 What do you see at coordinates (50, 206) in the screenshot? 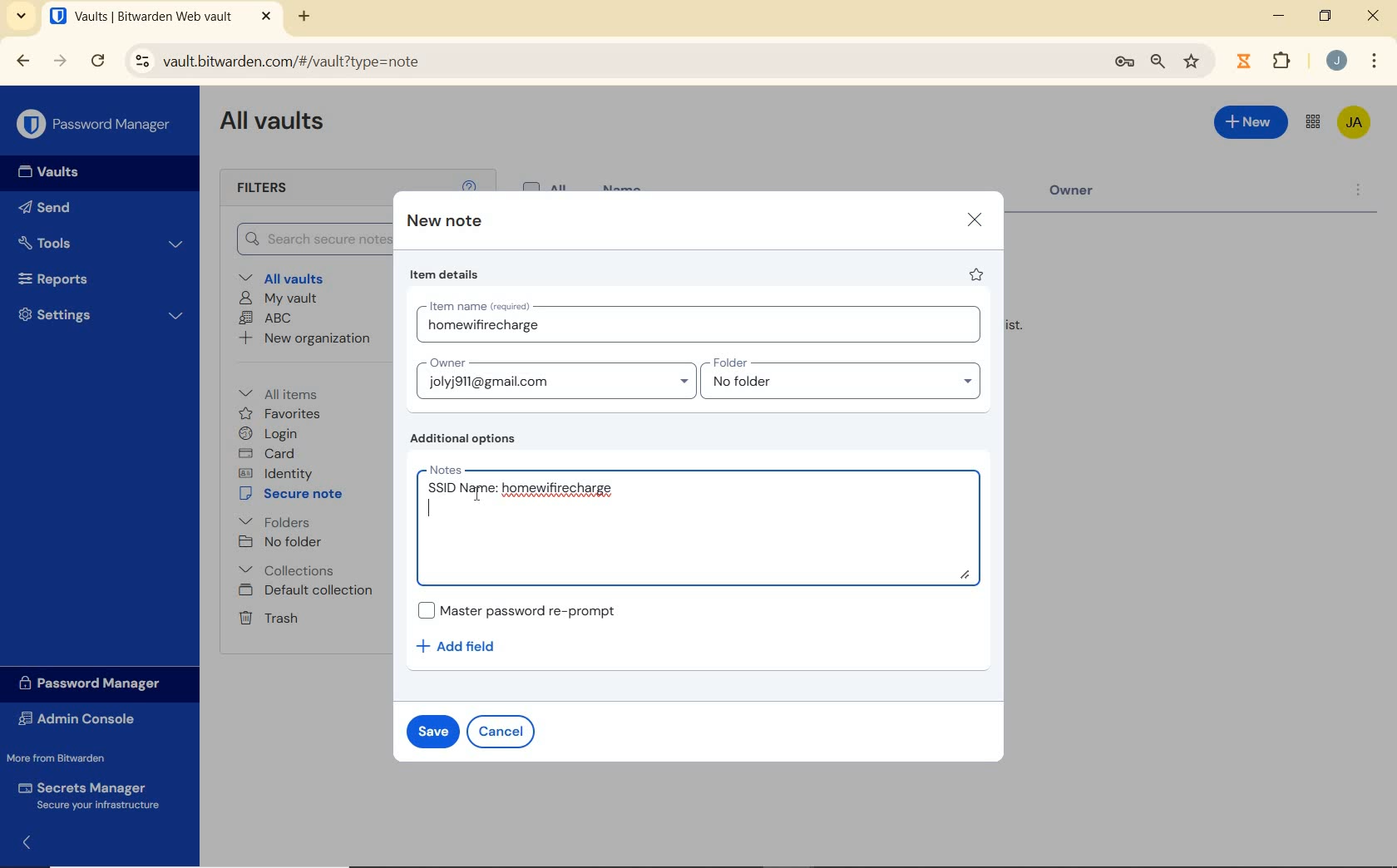
I see `Send` at bounding box center [50, 206].